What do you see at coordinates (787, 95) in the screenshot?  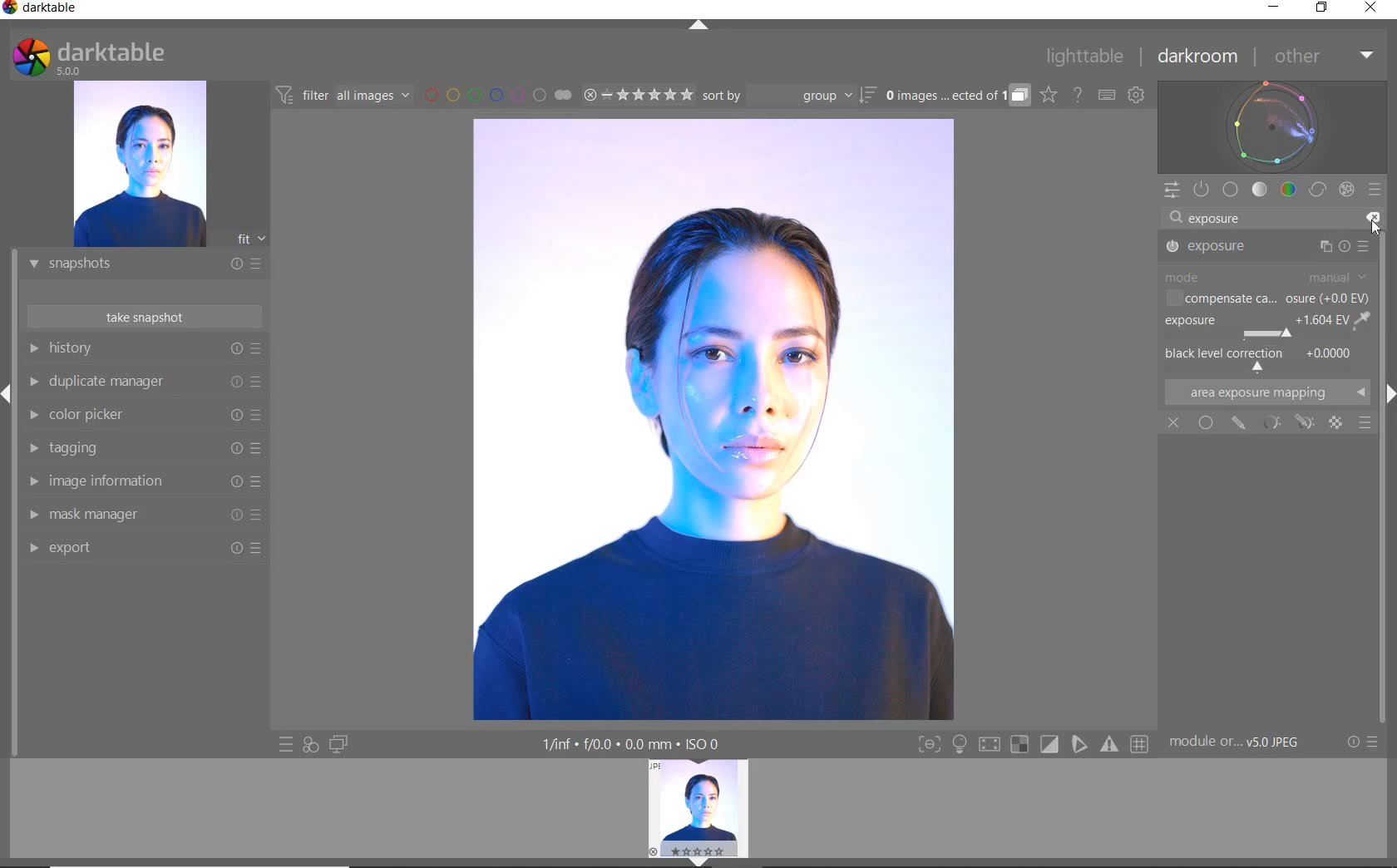 I see `SORT` at bounding box center [787, 95].